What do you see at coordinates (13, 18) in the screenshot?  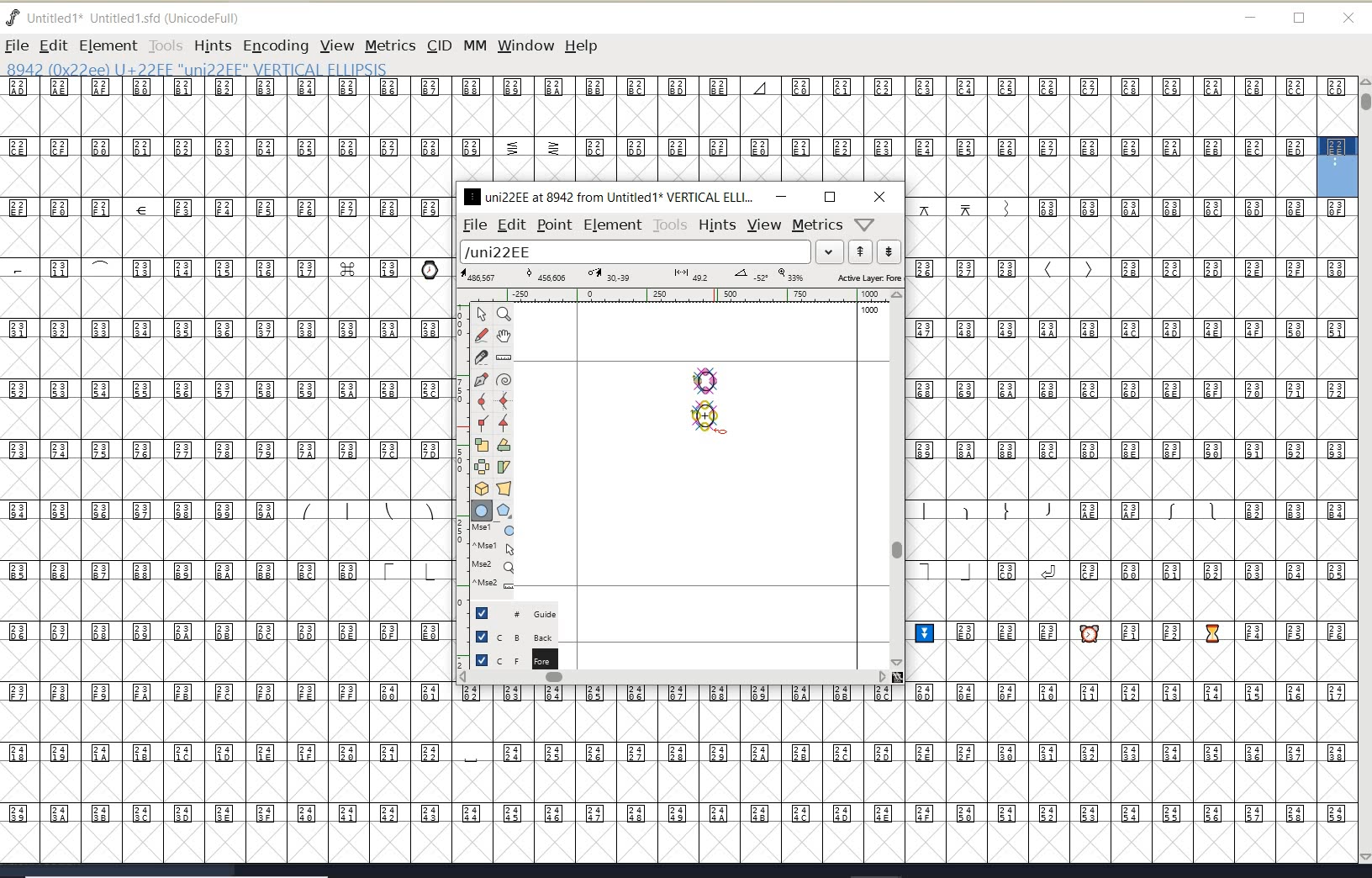 I see `fontforge logo` at bounding box center [13, 18].